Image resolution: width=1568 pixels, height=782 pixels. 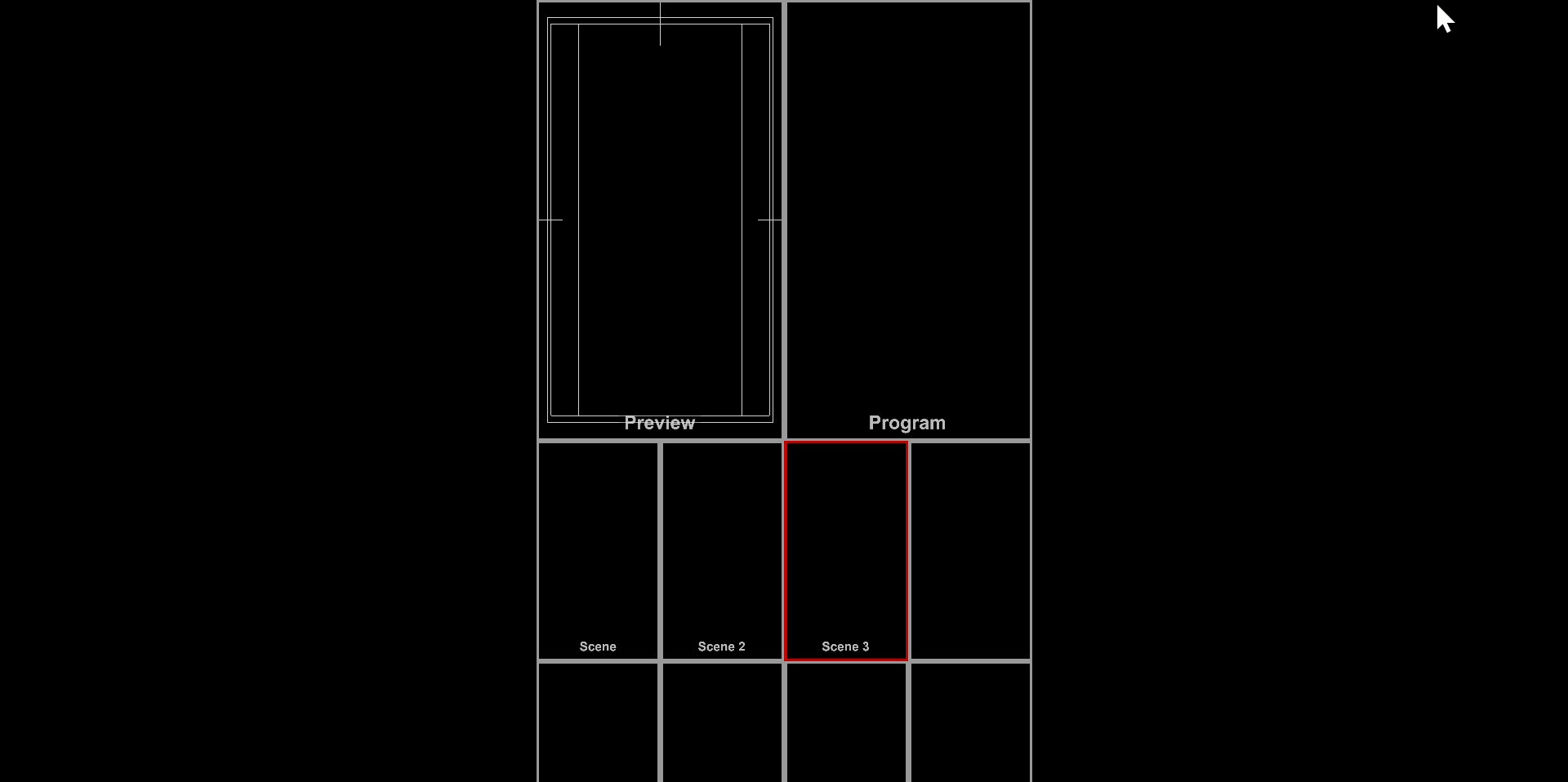 I want to click on Scene, so click(x=599, y=549).